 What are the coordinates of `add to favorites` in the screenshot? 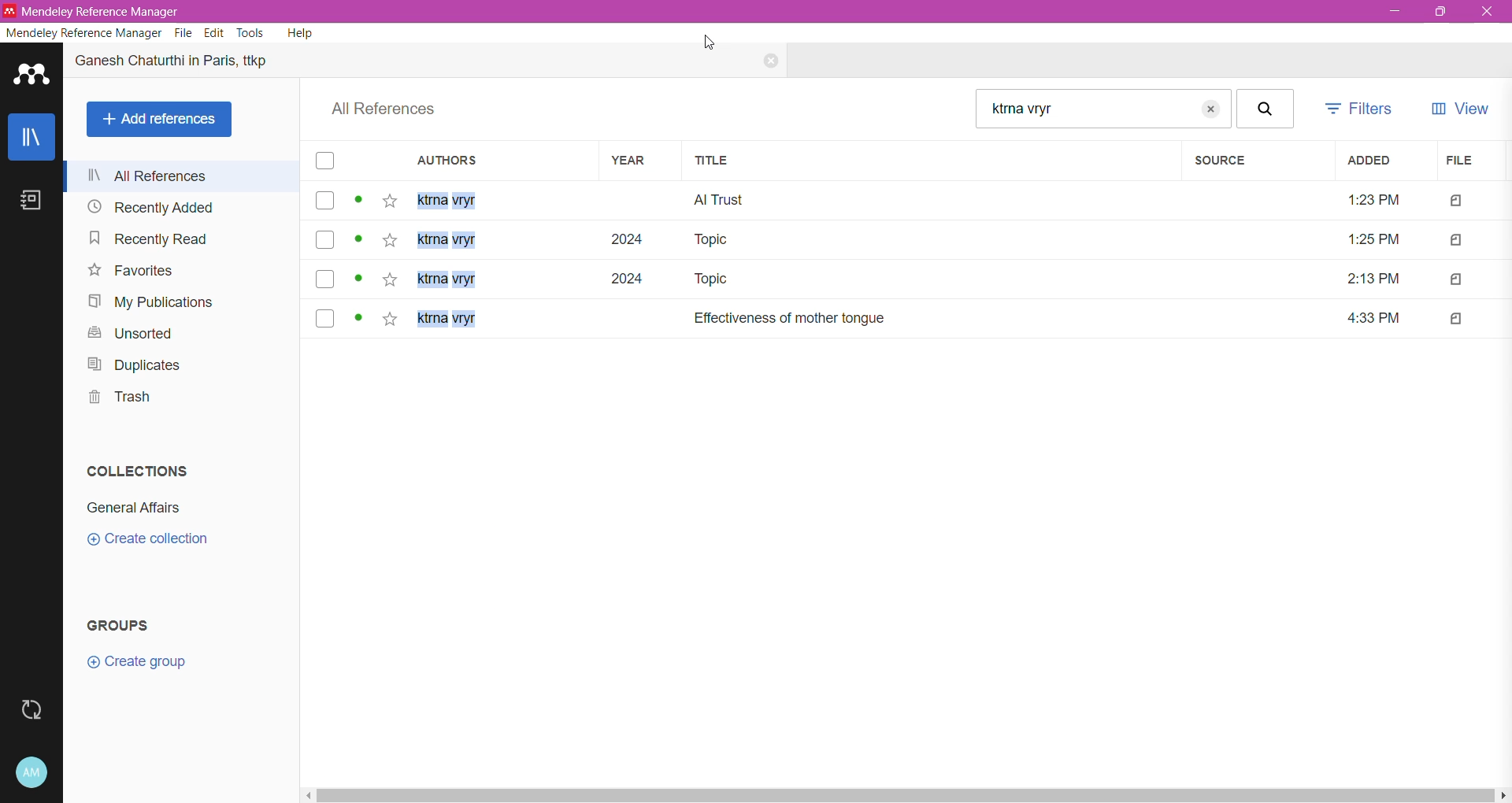 It's located at (389, 320).